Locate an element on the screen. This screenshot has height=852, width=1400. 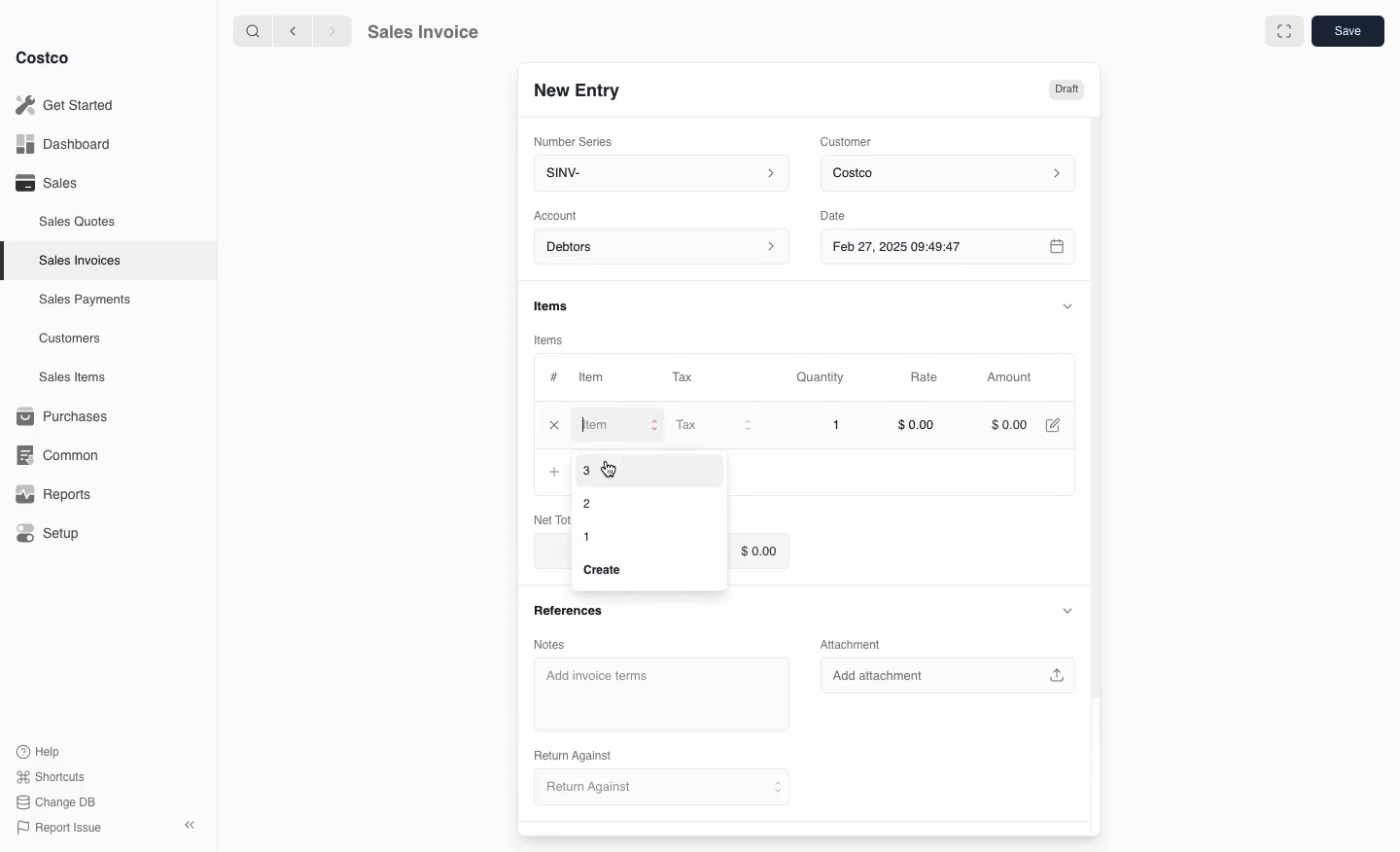
Net Total is located at coordinates (548, 518).